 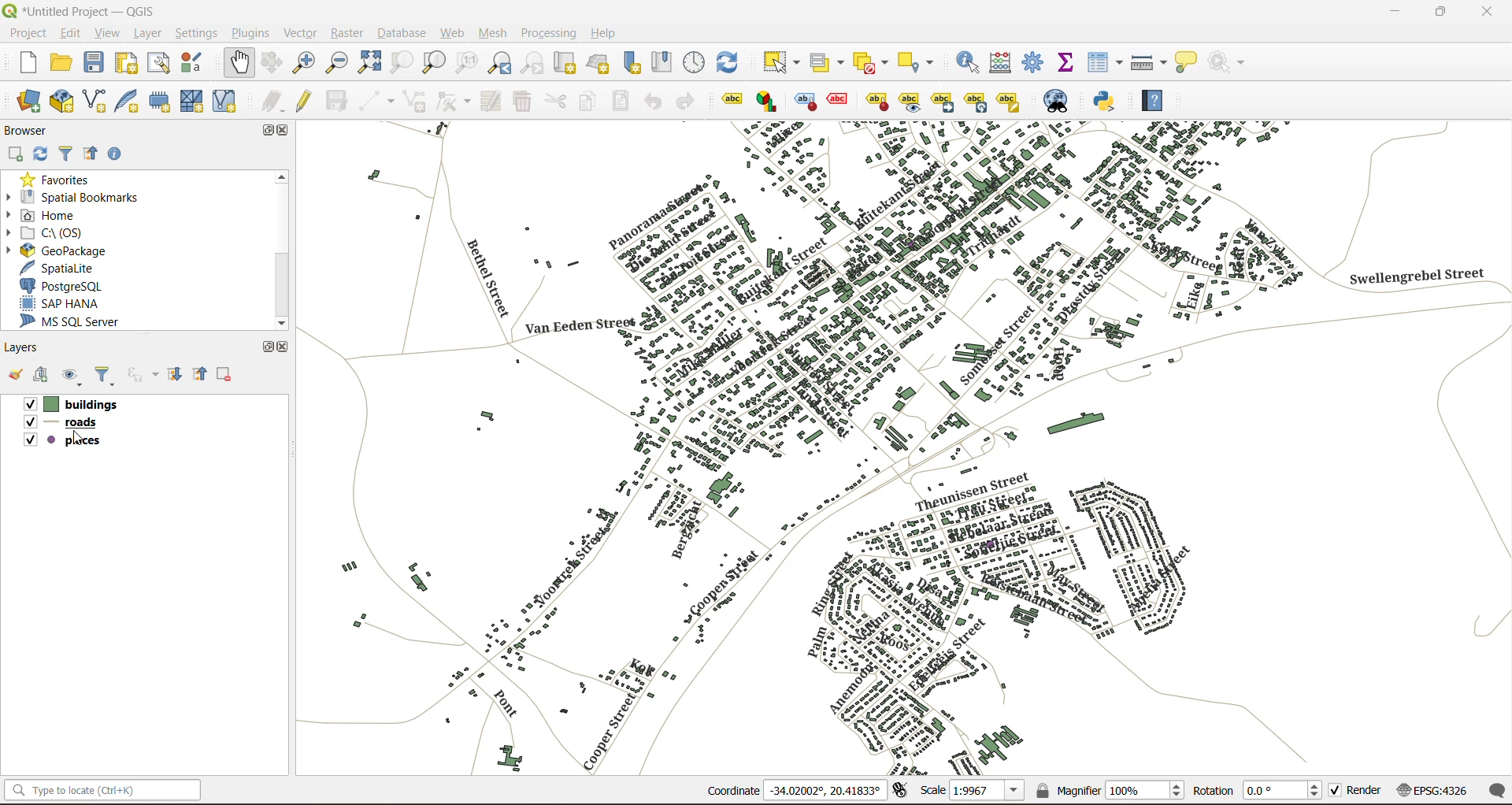 I want to click on pan map, so click(x=236, y=63).